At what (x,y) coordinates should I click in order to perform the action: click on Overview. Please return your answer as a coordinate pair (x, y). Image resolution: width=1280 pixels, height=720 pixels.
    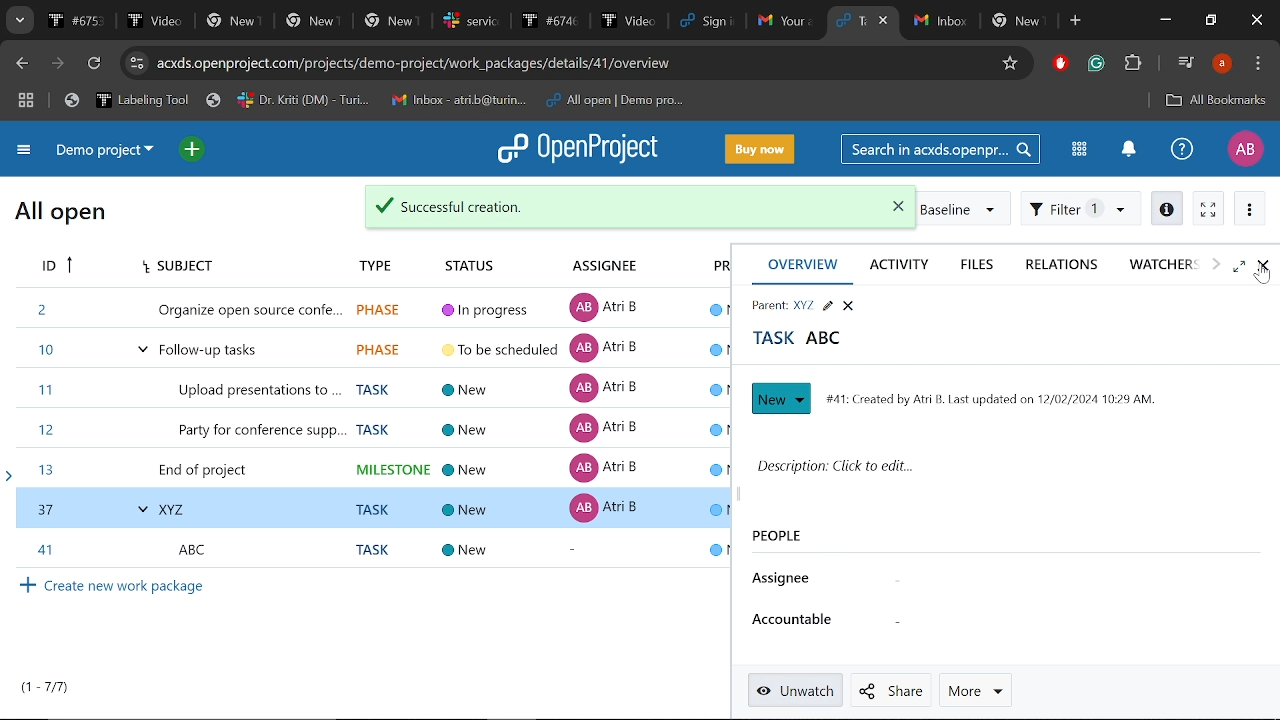
    Looking at the image, I should click on (802, 266).